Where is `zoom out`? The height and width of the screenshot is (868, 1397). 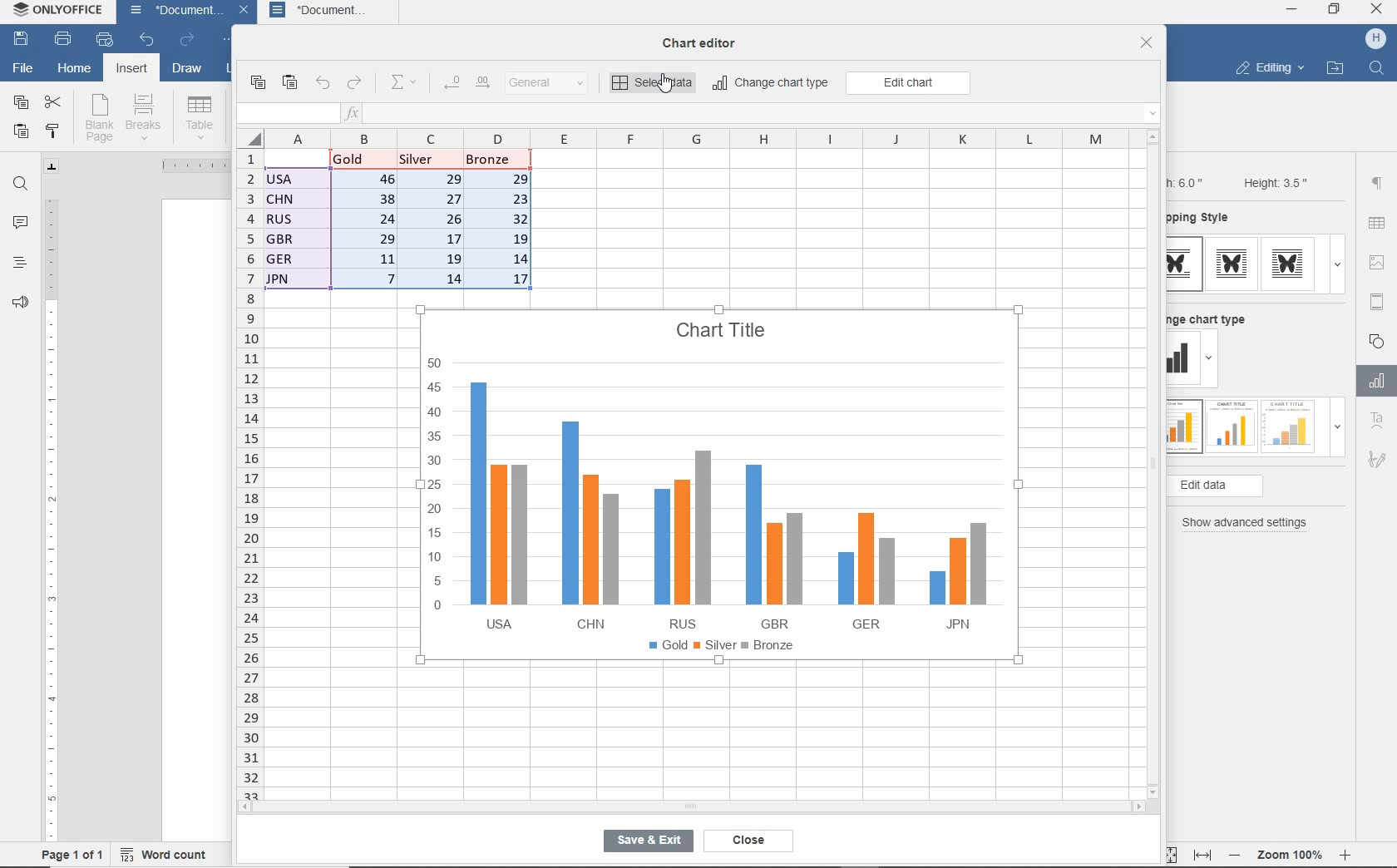 zoom out is located at coordinates (1237, 855).